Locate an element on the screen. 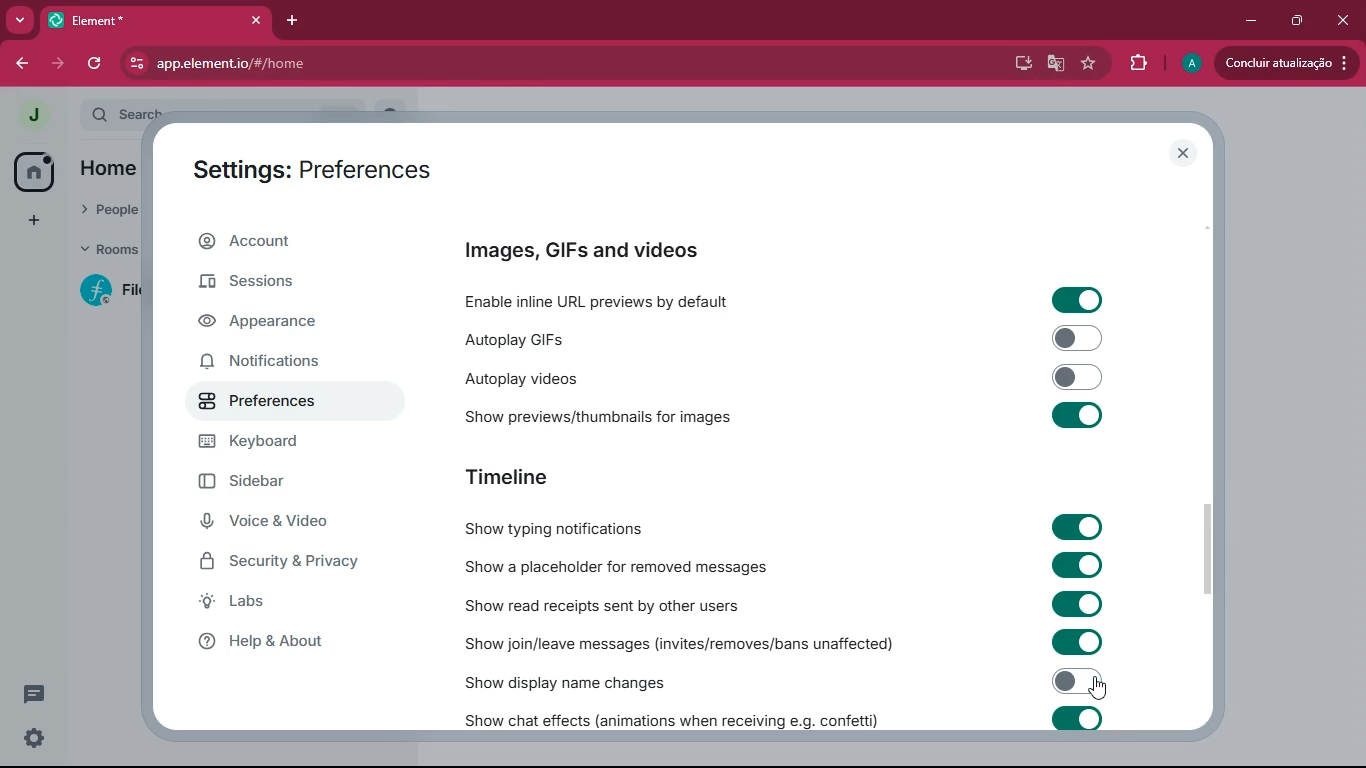  close is located at coordinates (1346, 20).